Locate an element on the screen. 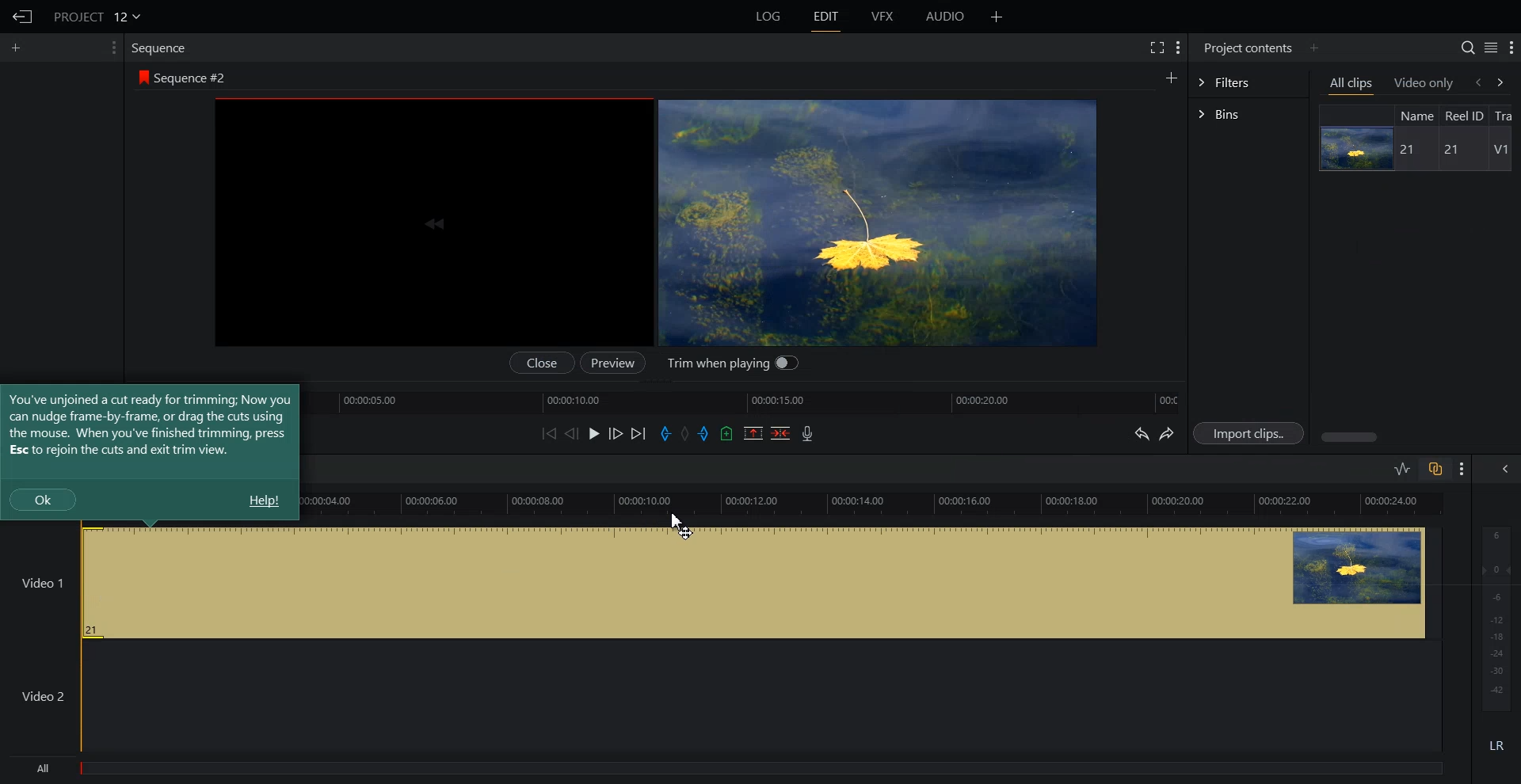 The width and height of the screenshot is (1521, 784). Add an in mark at the current position is located at coordinates (665, 433).